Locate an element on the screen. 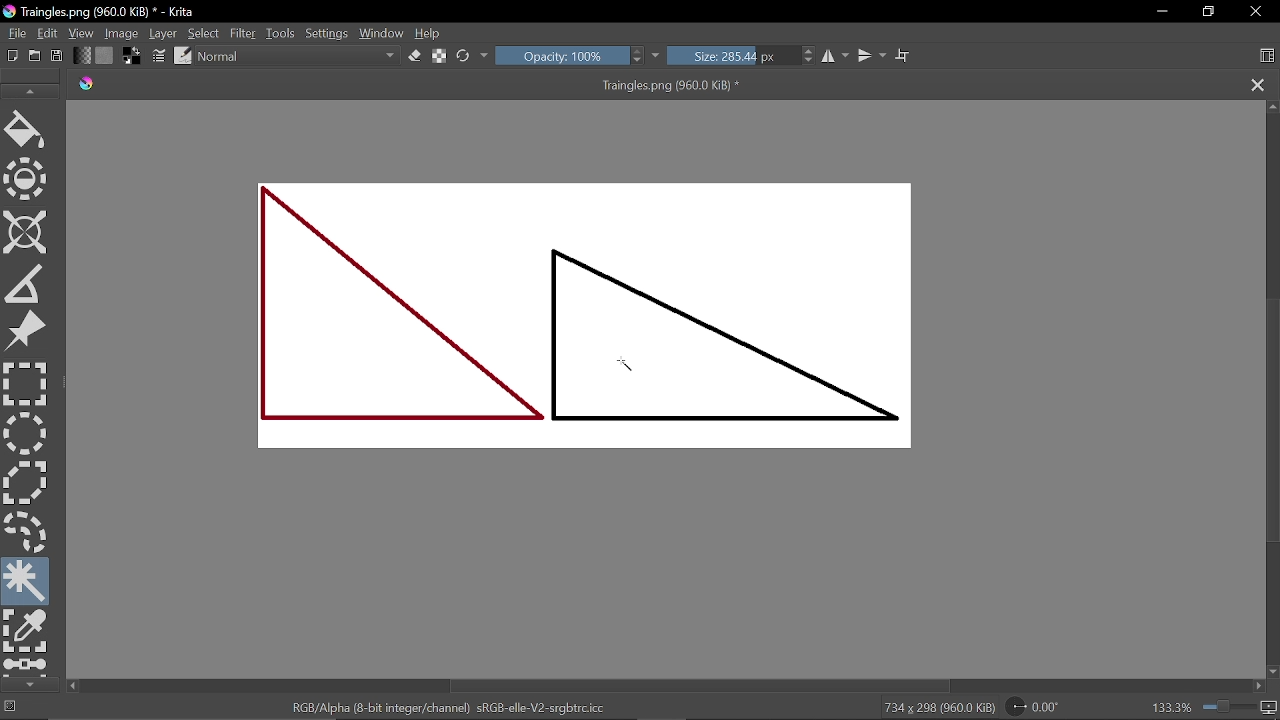 The width and height of the screenshot is (1280, 720). Edit is located at coordinates (48, 34).